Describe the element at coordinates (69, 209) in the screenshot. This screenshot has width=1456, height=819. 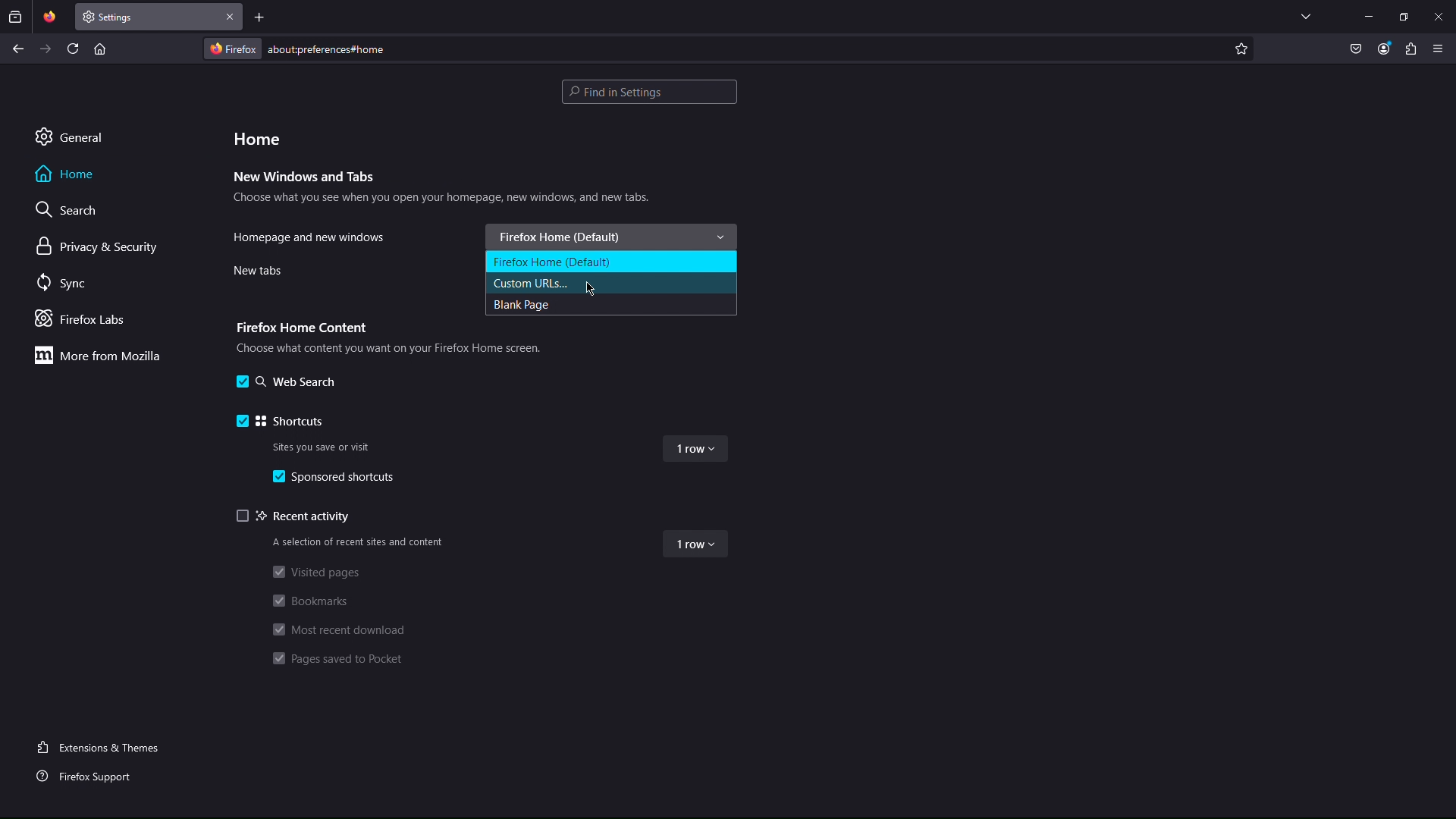
I see `Search` at that location.